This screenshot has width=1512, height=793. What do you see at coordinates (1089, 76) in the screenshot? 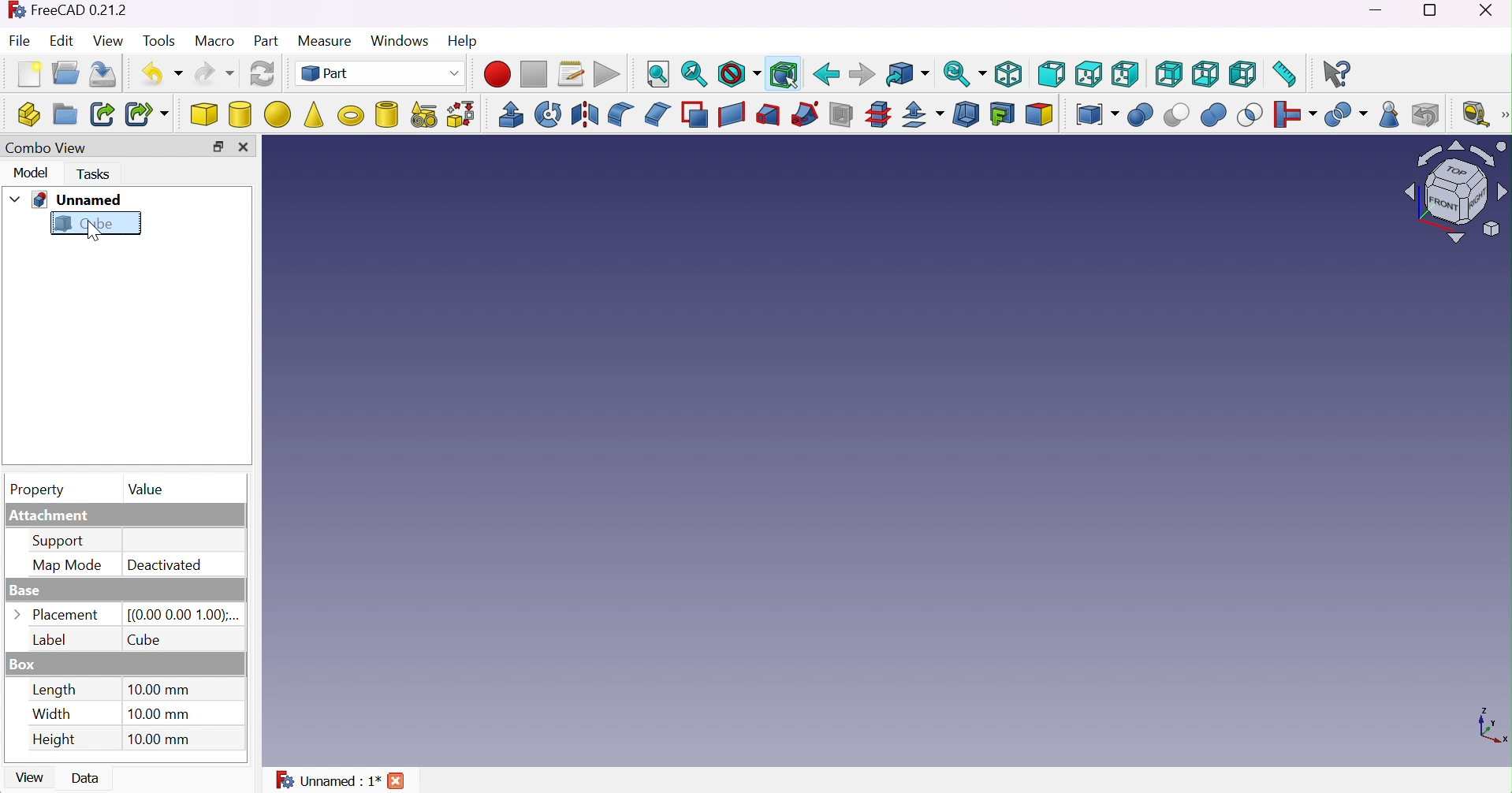
I see `Top` at bounding box center [1089, 76].